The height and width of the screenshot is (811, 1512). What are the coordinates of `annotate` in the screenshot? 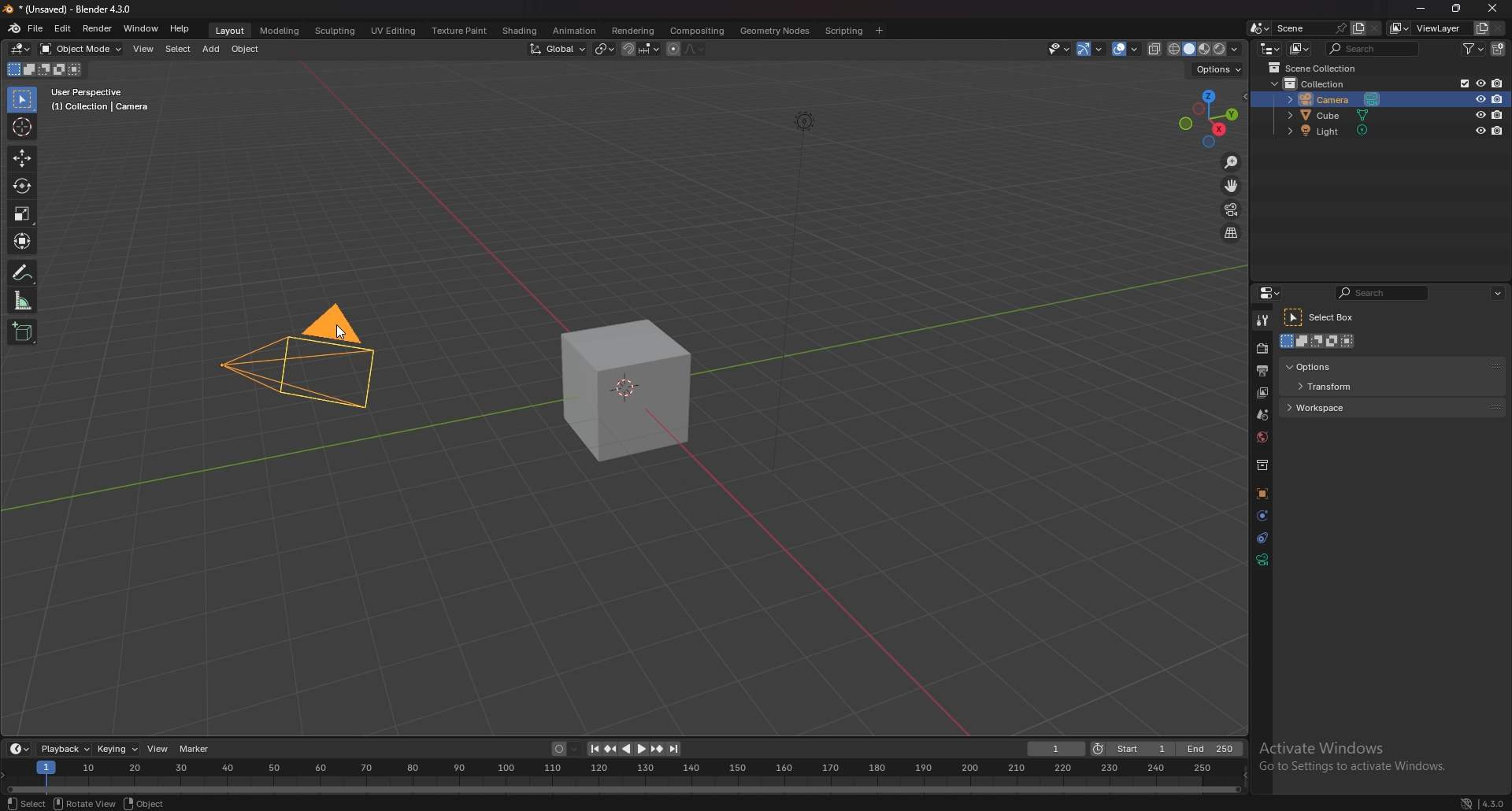 It's located at (24, 272).